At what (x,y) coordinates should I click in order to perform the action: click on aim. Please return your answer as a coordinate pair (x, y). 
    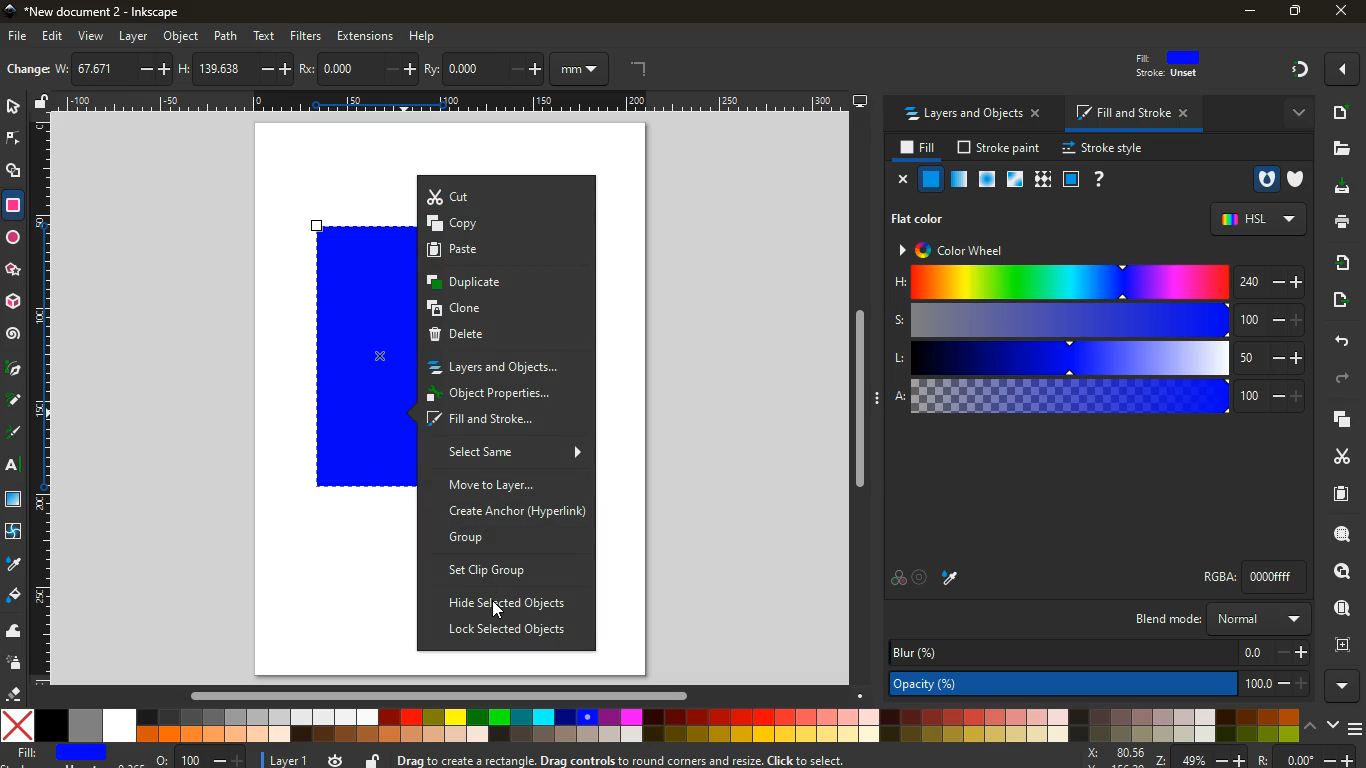
    Looking at the image, I should click on (920, 576).